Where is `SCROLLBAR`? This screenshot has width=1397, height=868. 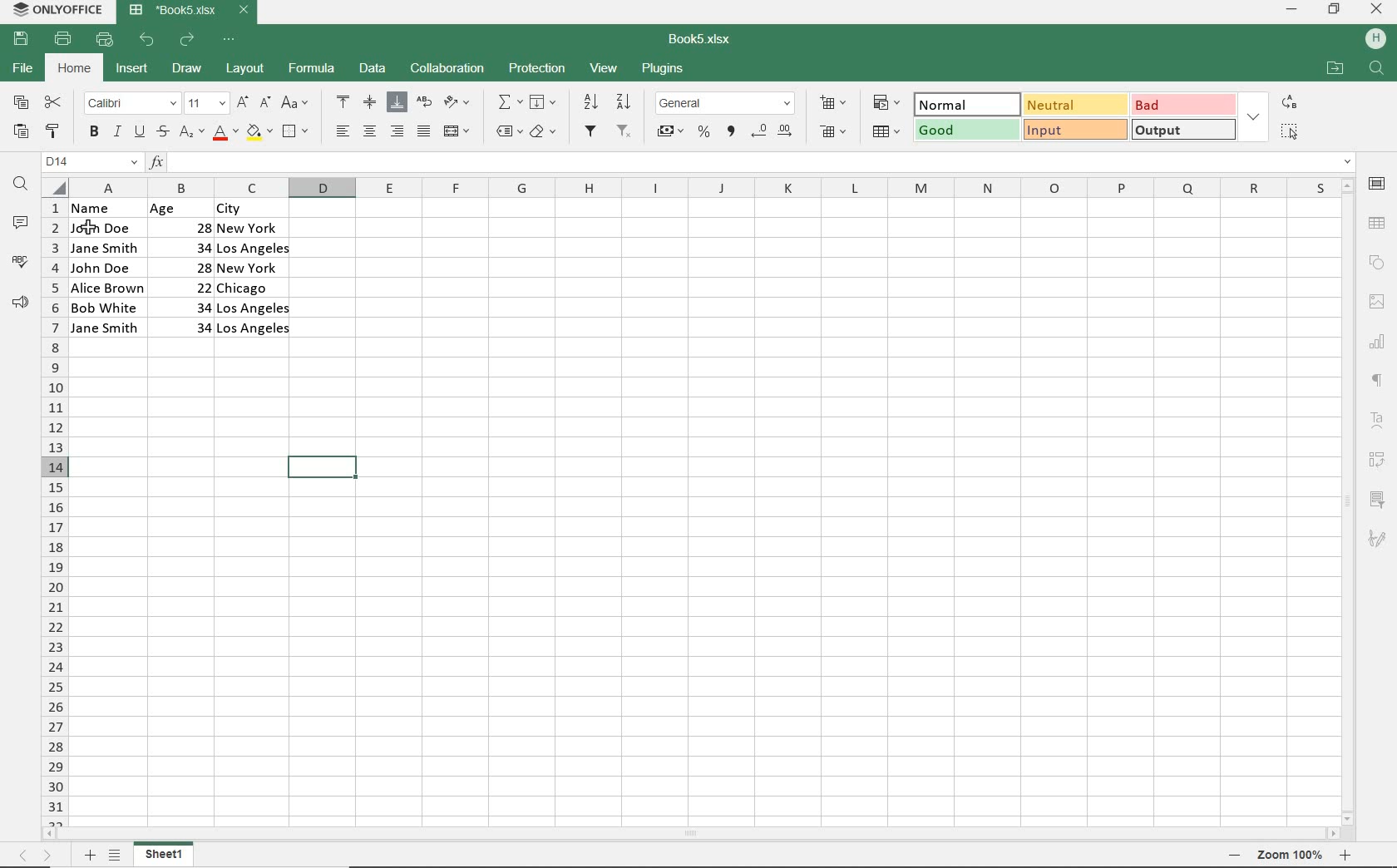
SCROLLBAR is located at coordinates (696, 833).